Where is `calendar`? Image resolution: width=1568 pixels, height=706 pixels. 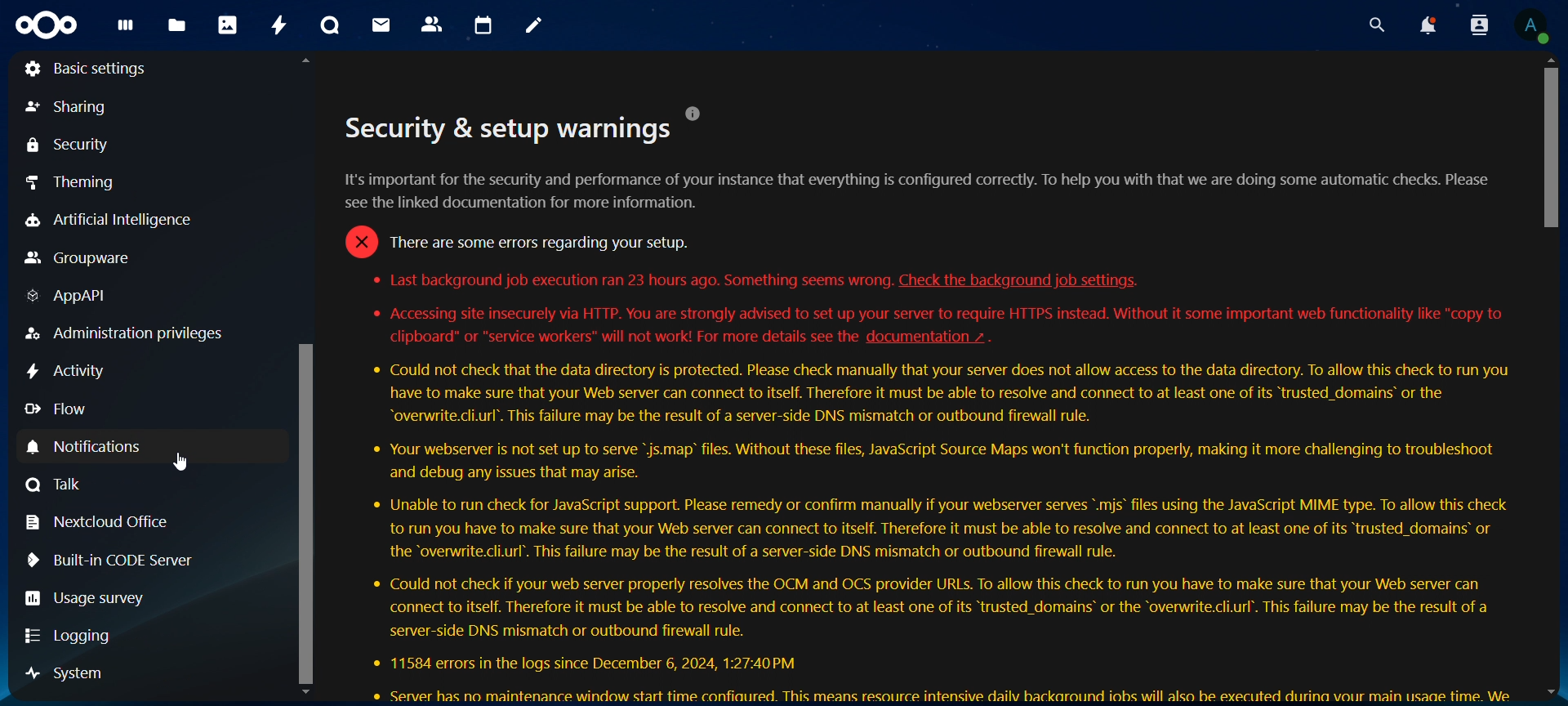 calendar is located at coordinates (483, 26).